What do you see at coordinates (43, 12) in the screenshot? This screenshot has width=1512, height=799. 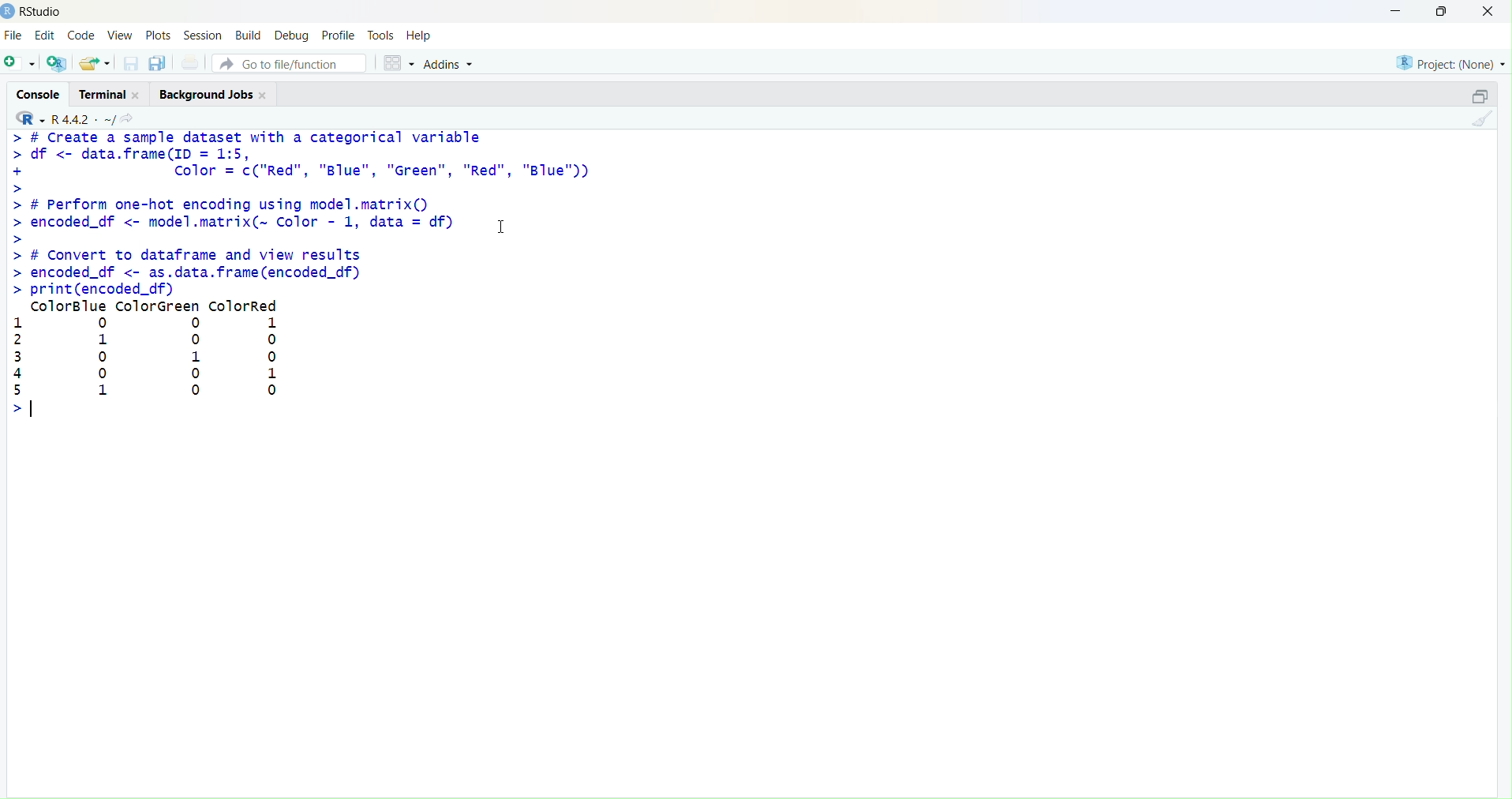 I see `RStudio` at bounding box center [43, 12].